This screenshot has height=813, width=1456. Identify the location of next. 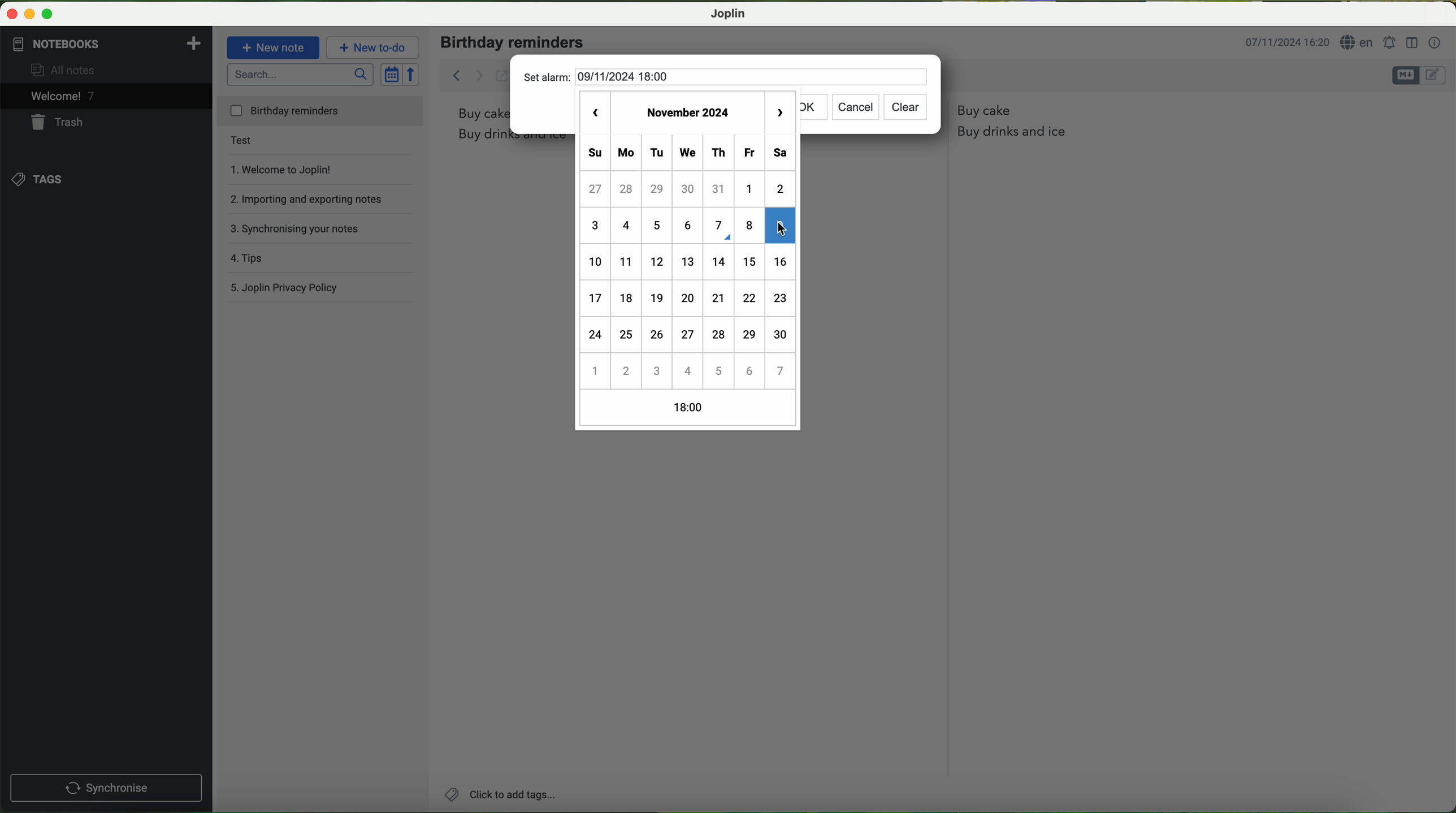
(775, 109).